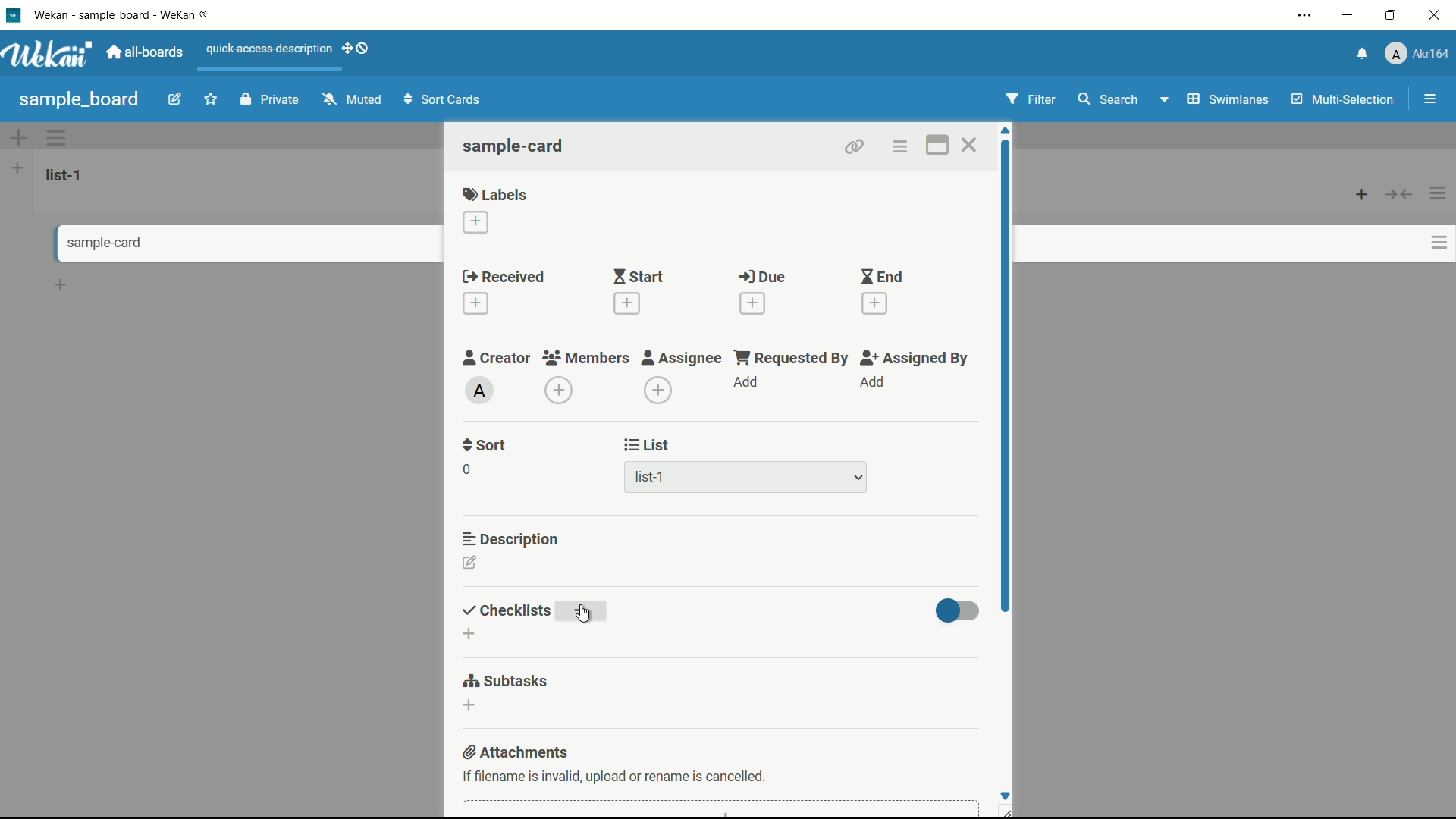 The image size is (1456, 819). I want to click on card name, so click(515, 146).